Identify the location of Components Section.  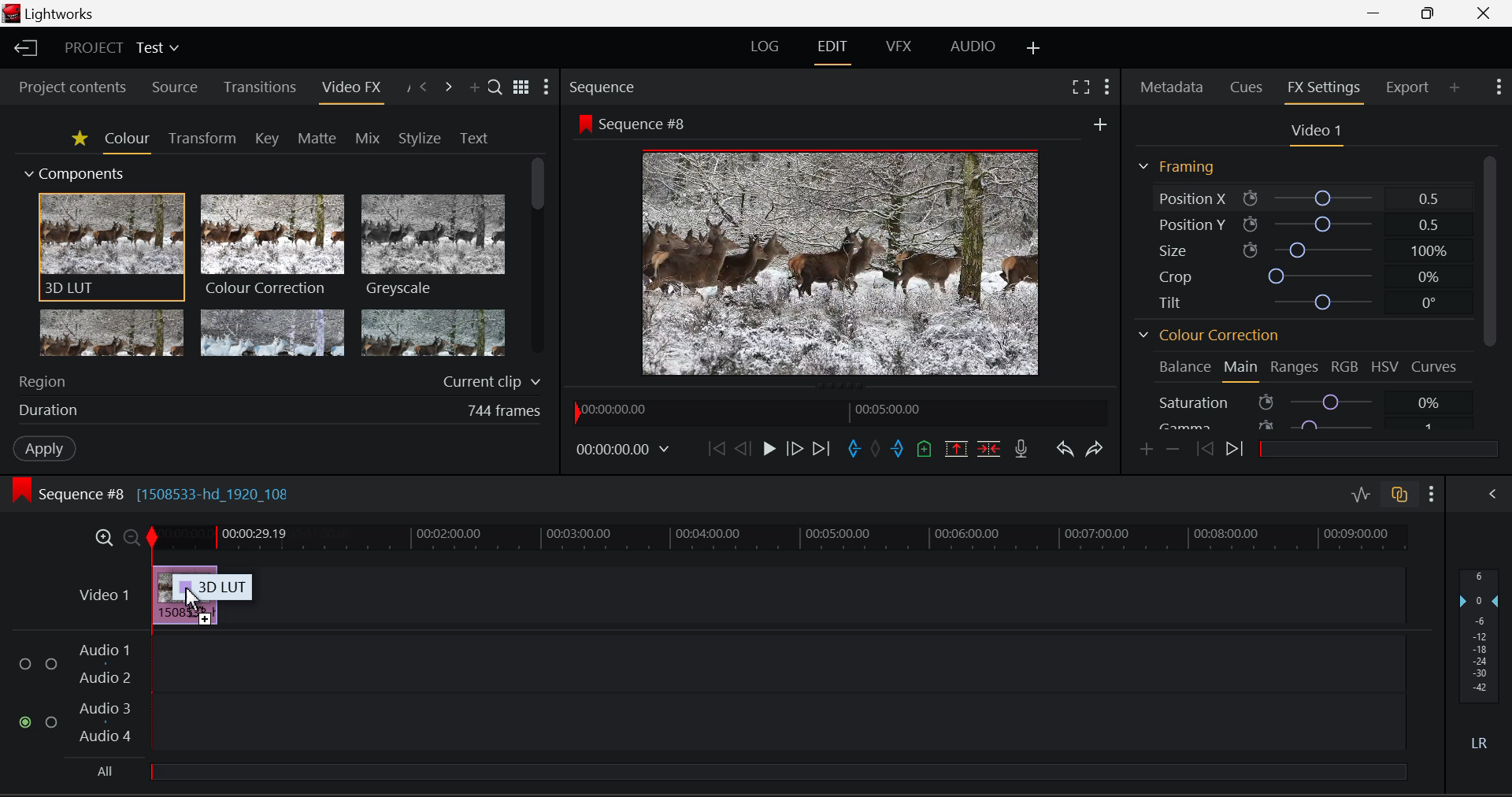
(76, 172).